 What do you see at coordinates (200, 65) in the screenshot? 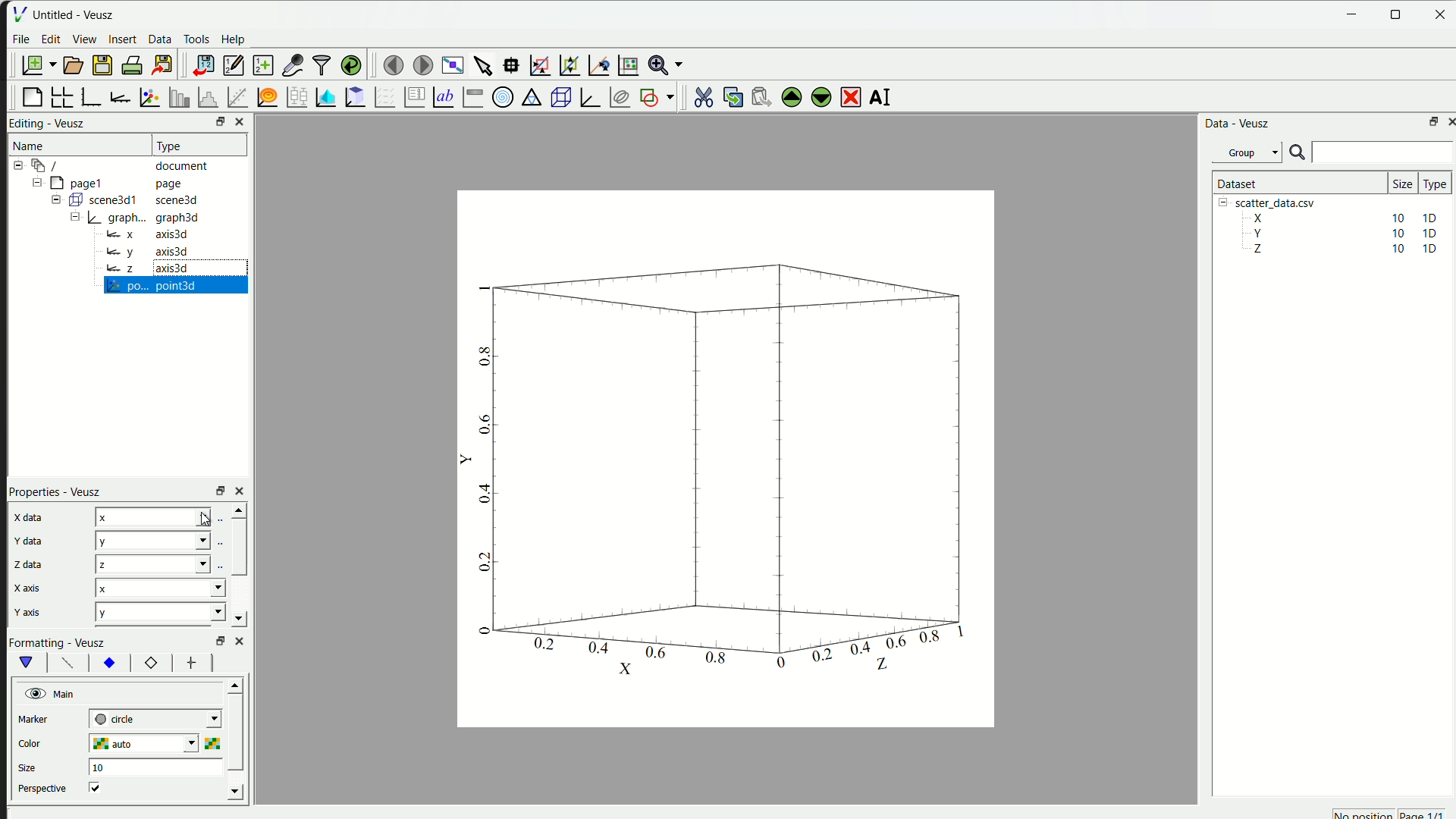
I see `import data` at bounding box center [200, 65].